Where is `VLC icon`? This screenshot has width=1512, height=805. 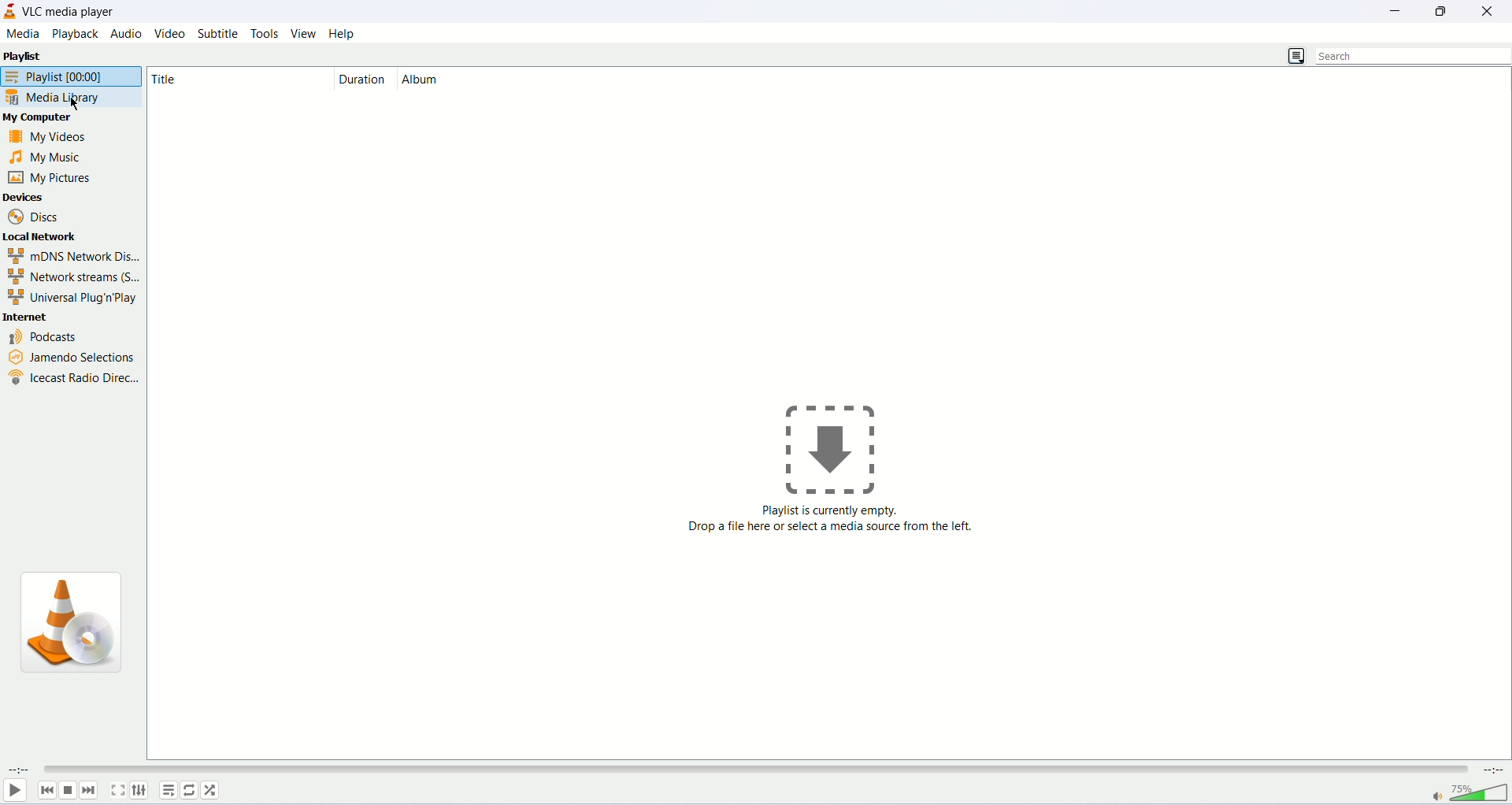 VLC icon is located at coordinates (80, 627).